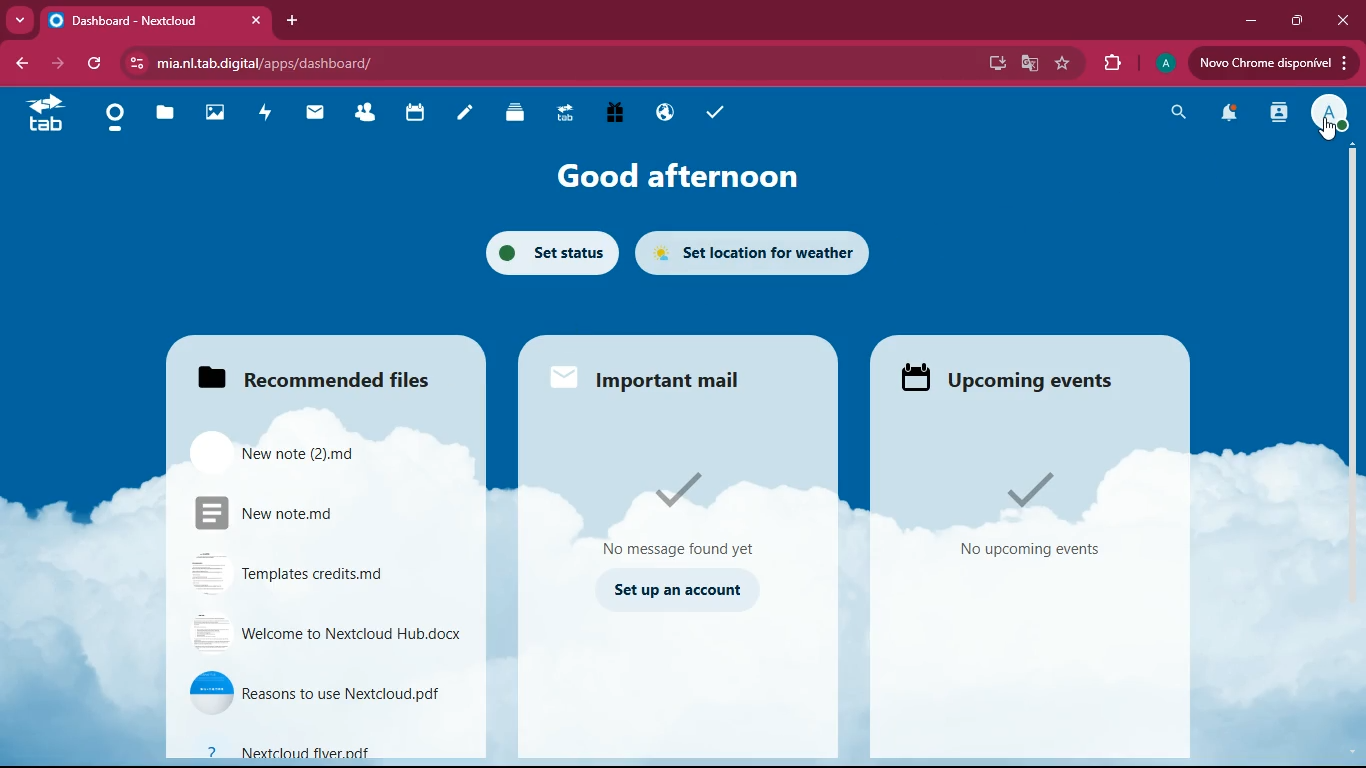  Describe the element at coordinates (165, 114) in the screenshot. I see `files` at that location.